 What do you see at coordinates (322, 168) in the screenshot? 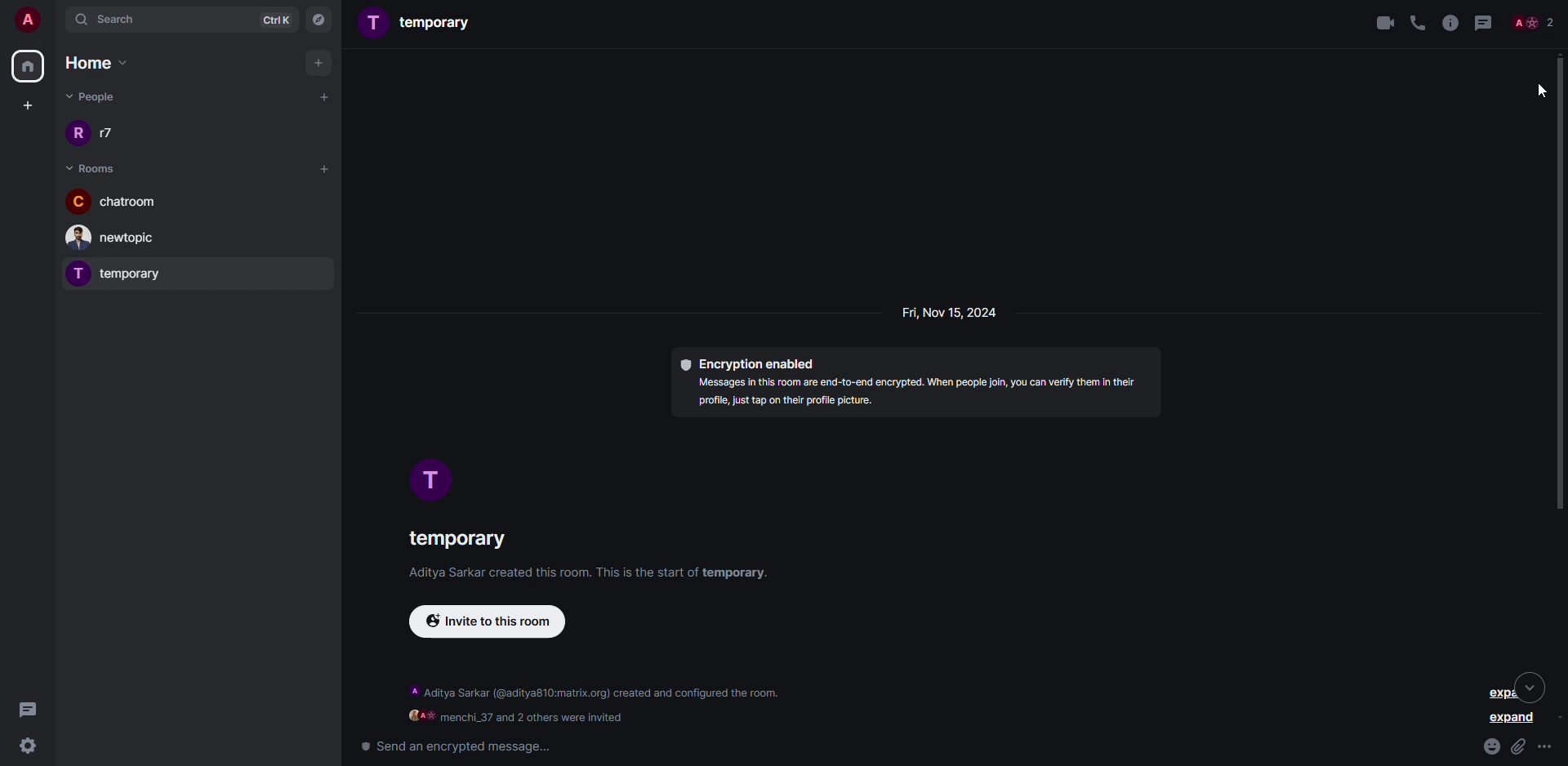
I see `add` at bounding box center [322, 168].